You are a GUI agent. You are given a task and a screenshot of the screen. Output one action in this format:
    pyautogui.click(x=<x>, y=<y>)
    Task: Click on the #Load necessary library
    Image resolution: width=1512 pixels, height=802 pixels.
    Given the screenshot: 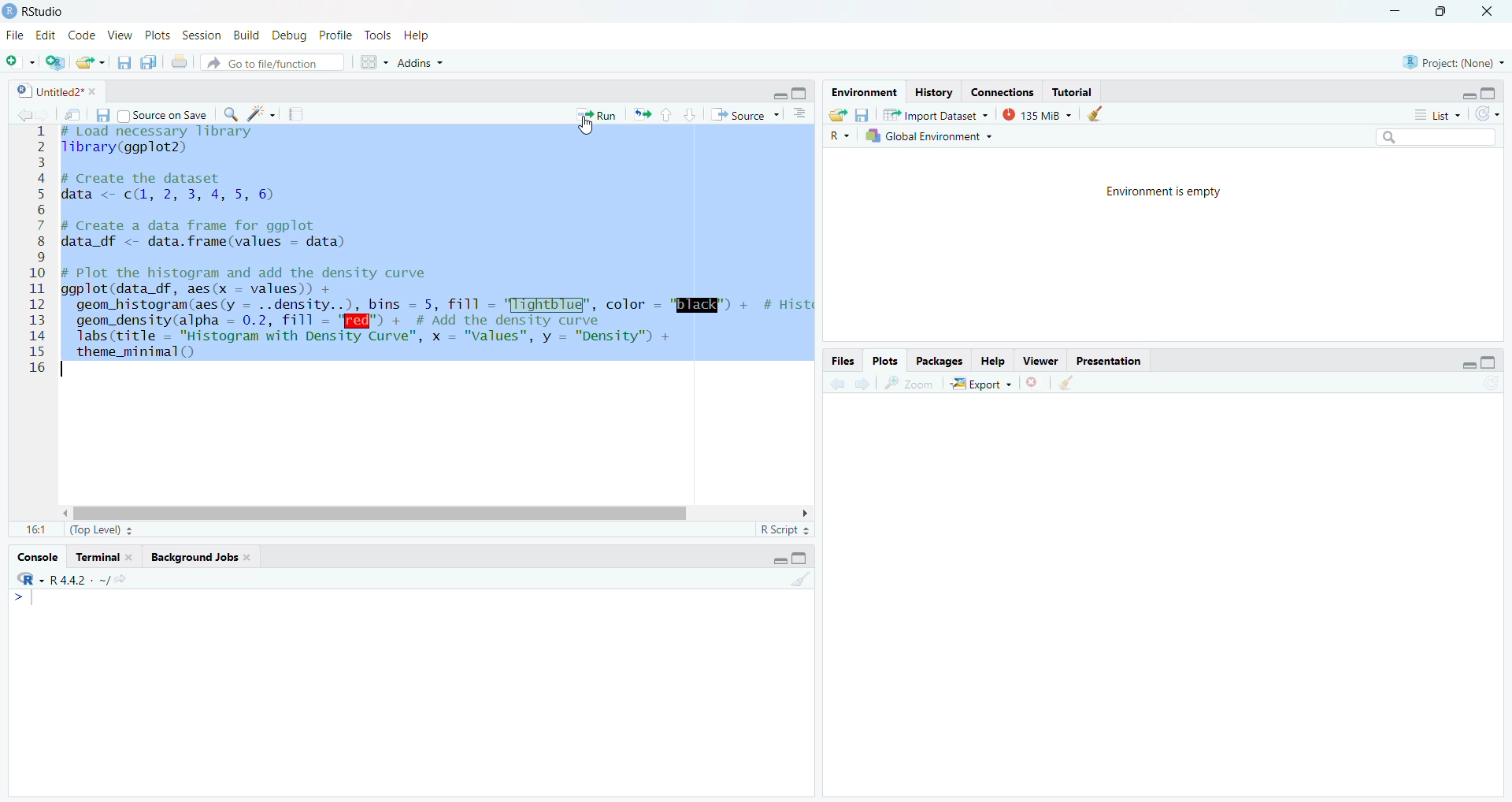 What is the action you would take?
    pyautogui.click(x=160, y=132)
    